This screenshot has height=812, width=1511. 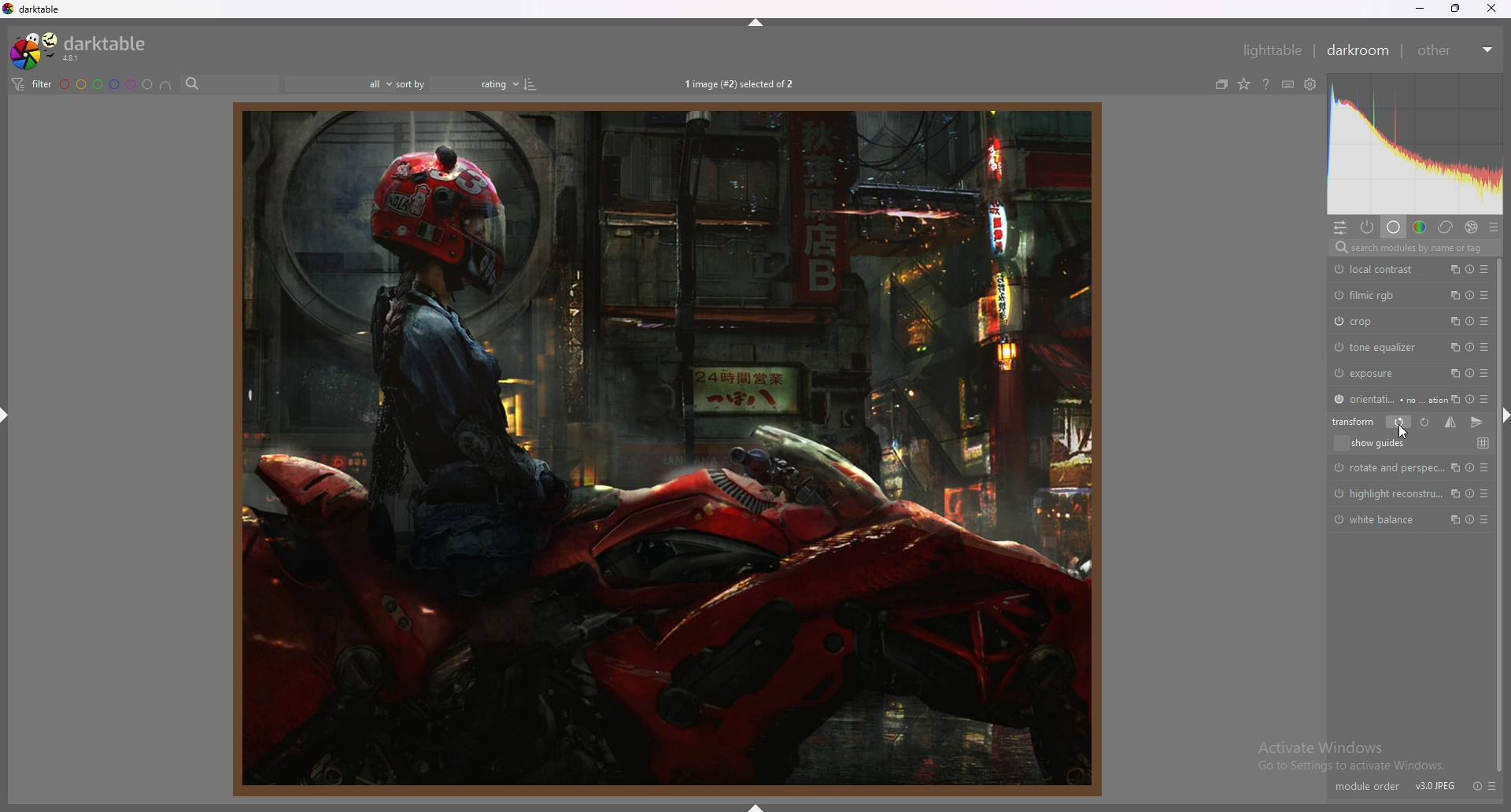 What do you see at coordinates (84, 49) in the screenshot?
I see `darktable` at bounding box center [84, 49].